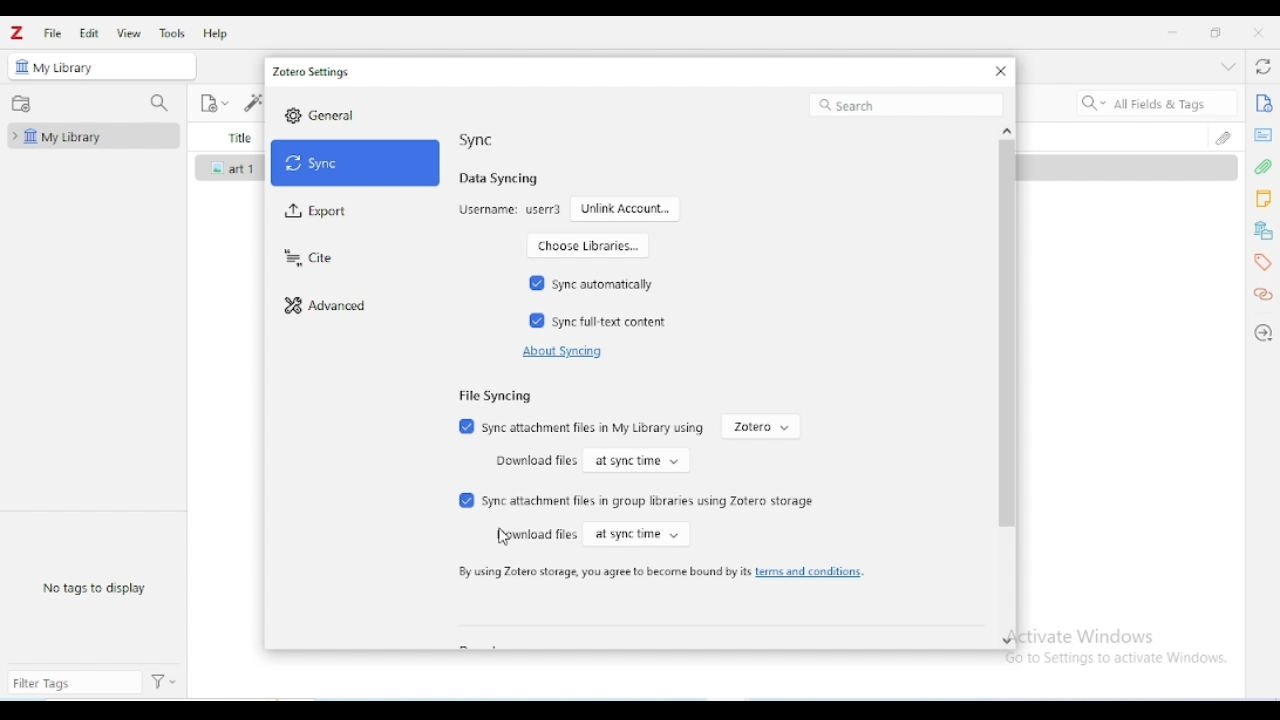  I want to click on attachments, so click(1226, 136).